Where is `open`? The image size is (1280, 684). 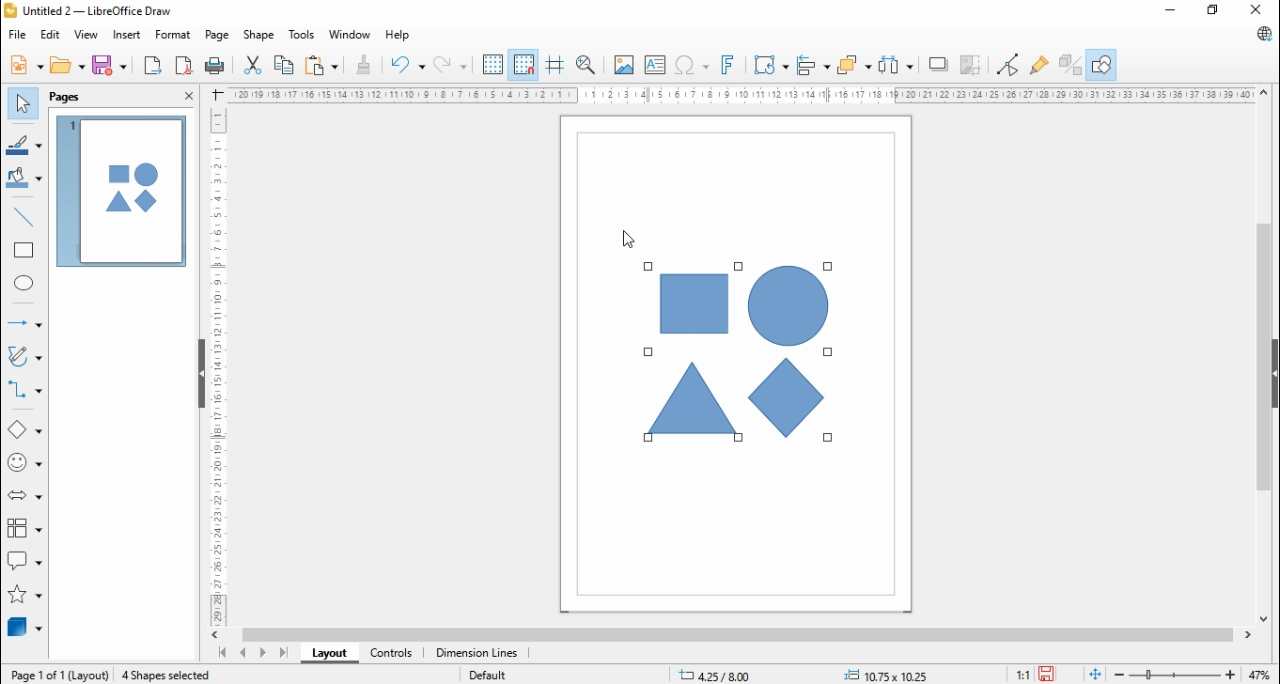 open is located at coordinates (67, 64).